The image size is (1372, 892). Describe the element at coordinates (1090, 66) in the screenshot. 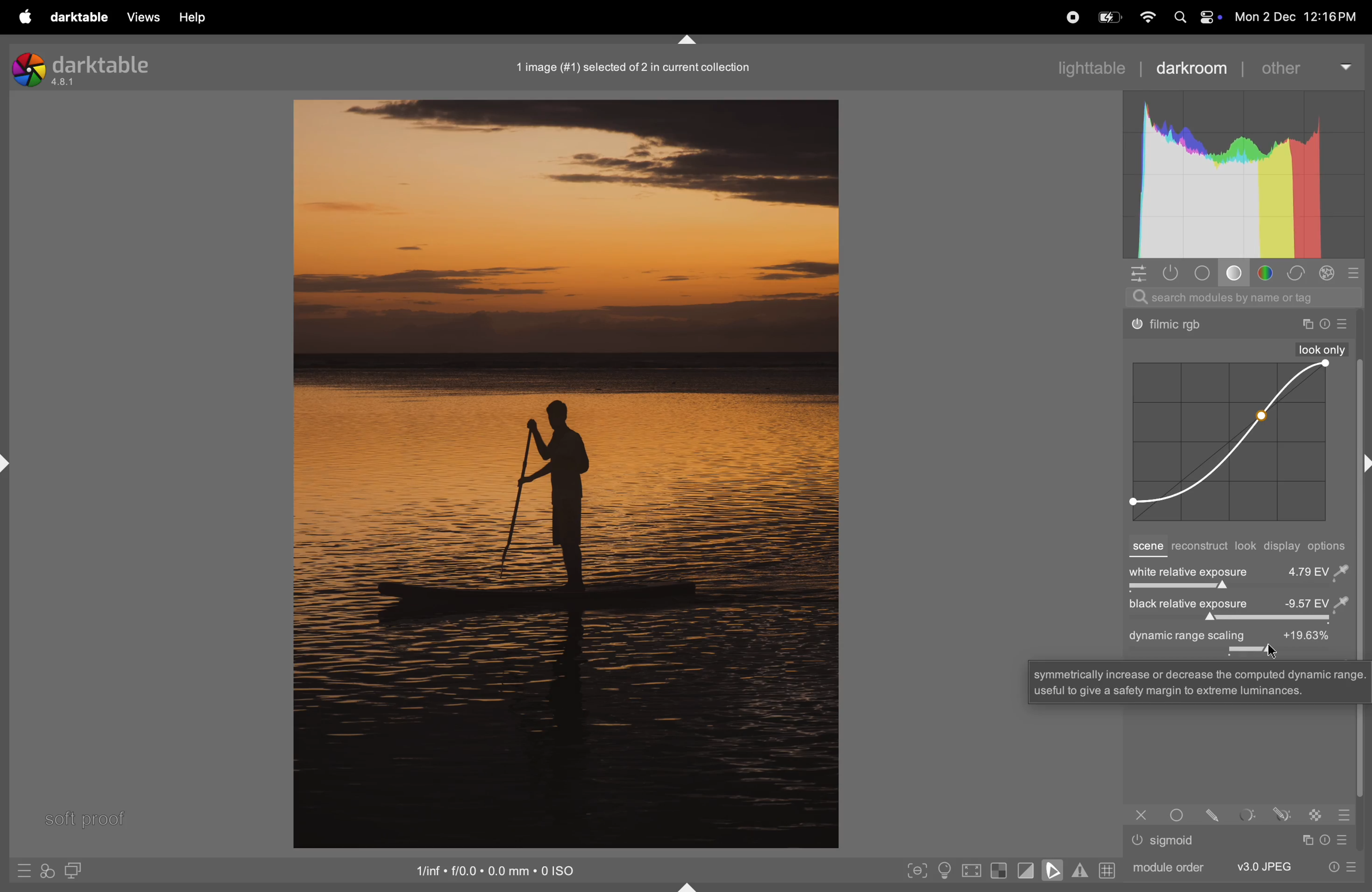

I see `lighttable` at that location.